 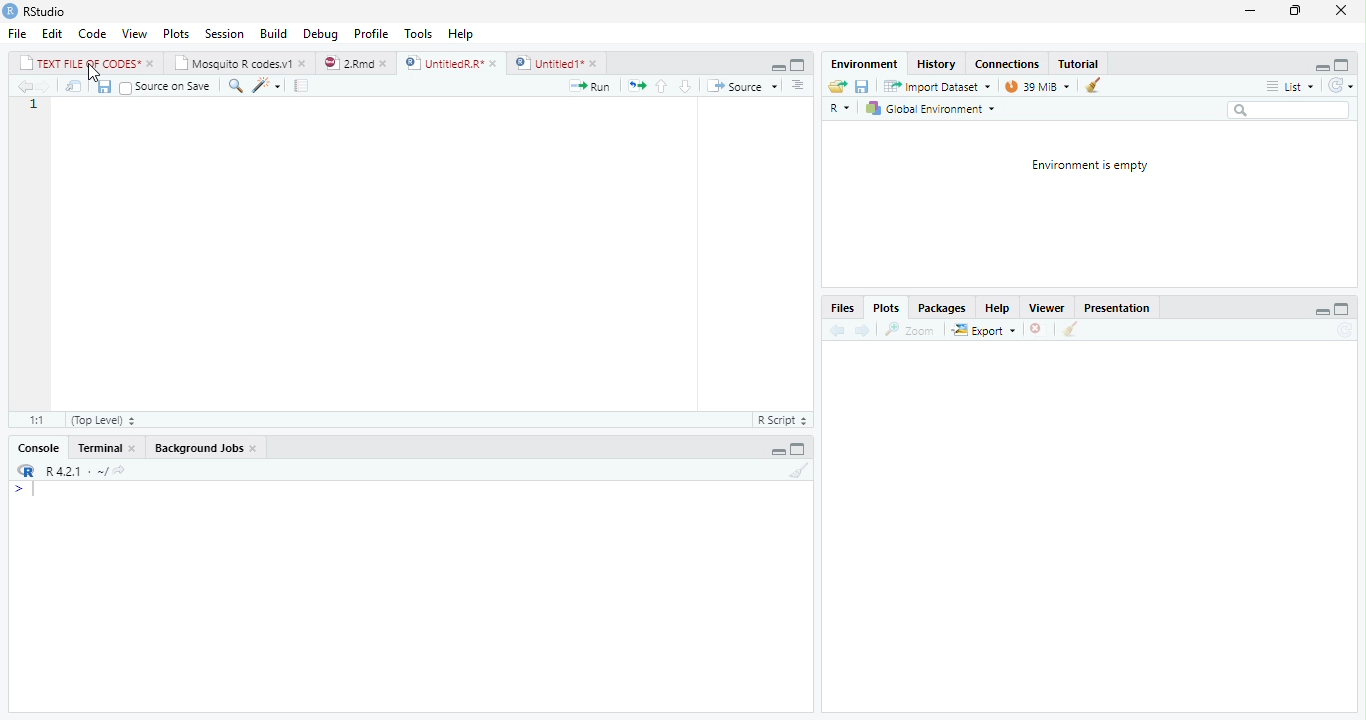 What do you see at coordinates (225, 33) in the screenshot?
I see `Session` at bounding box center [225, 33].